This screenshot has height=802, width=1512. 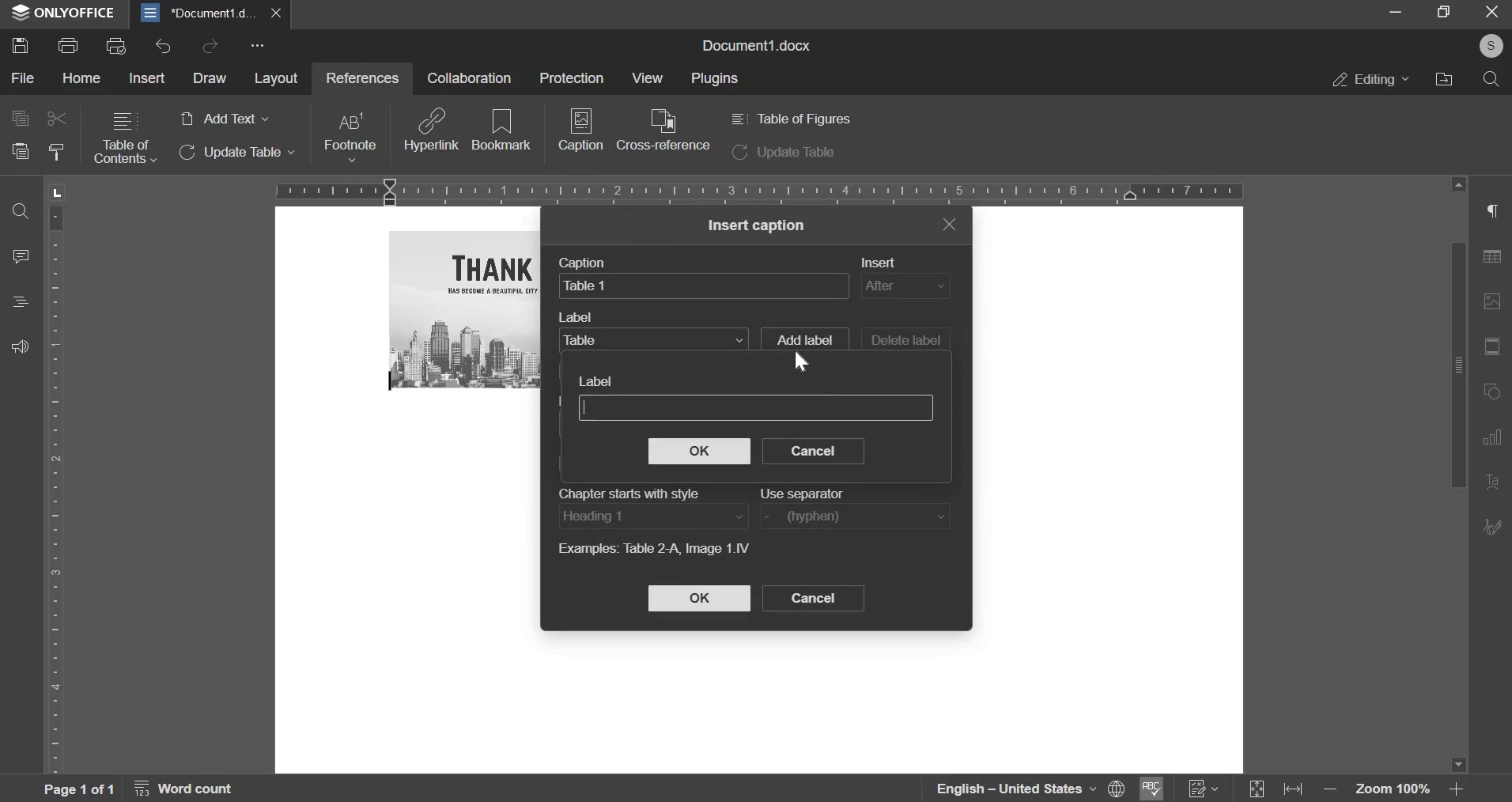 What do you see at coordinates (699, 598) in the screenshot?
I see `ok` at bounding box center [699, 598].